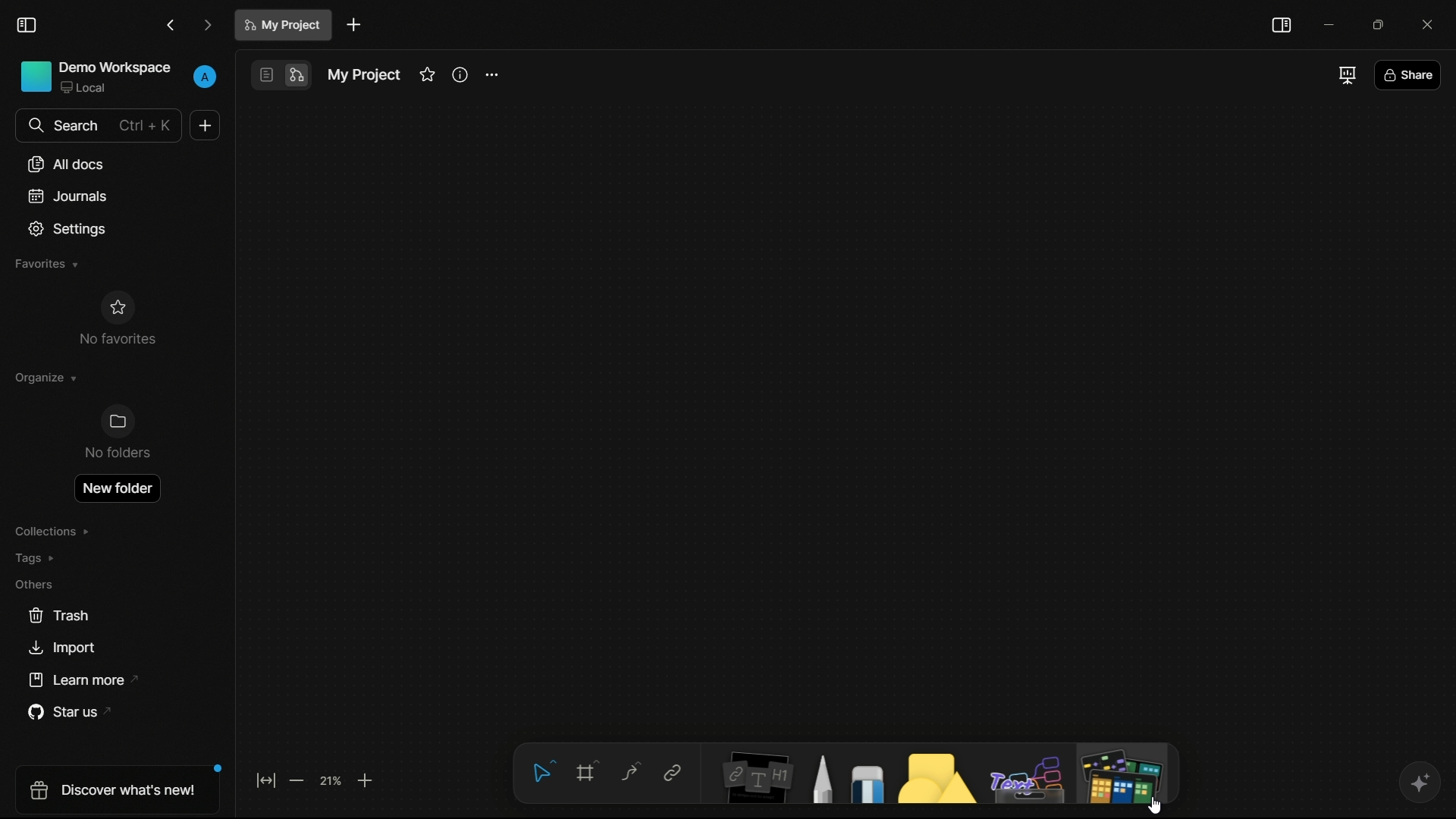 This screenshot has width=1456, height=819. I want to click on cursor, so click(1157, 812).